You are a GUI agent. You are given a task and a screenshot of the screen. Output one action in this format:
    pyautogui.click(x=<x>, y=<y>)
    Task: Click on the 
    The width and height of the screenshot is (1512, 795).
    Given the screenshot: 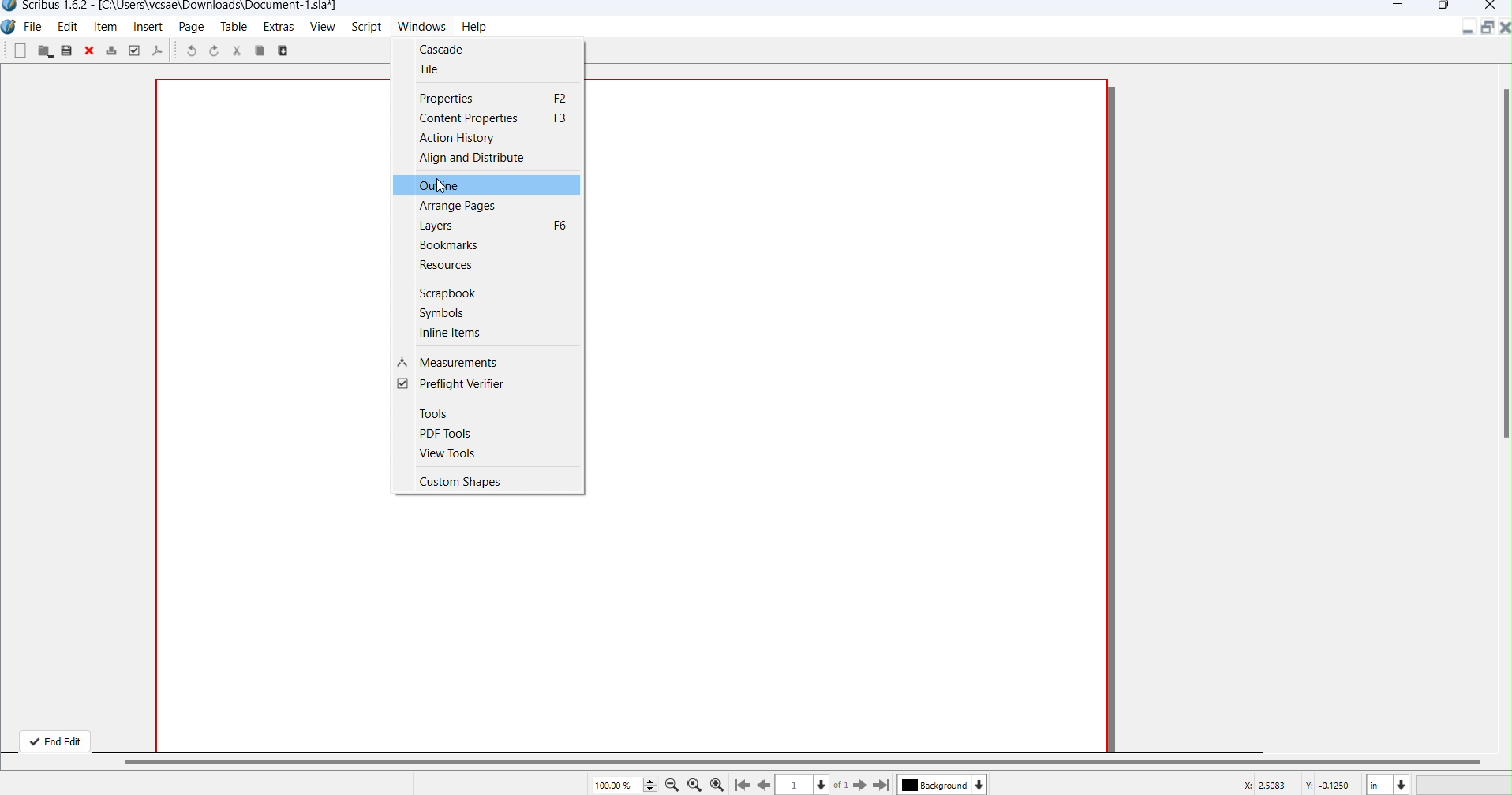 What is the action you would take?
    pyautogui.click(x=152, y=28)
    